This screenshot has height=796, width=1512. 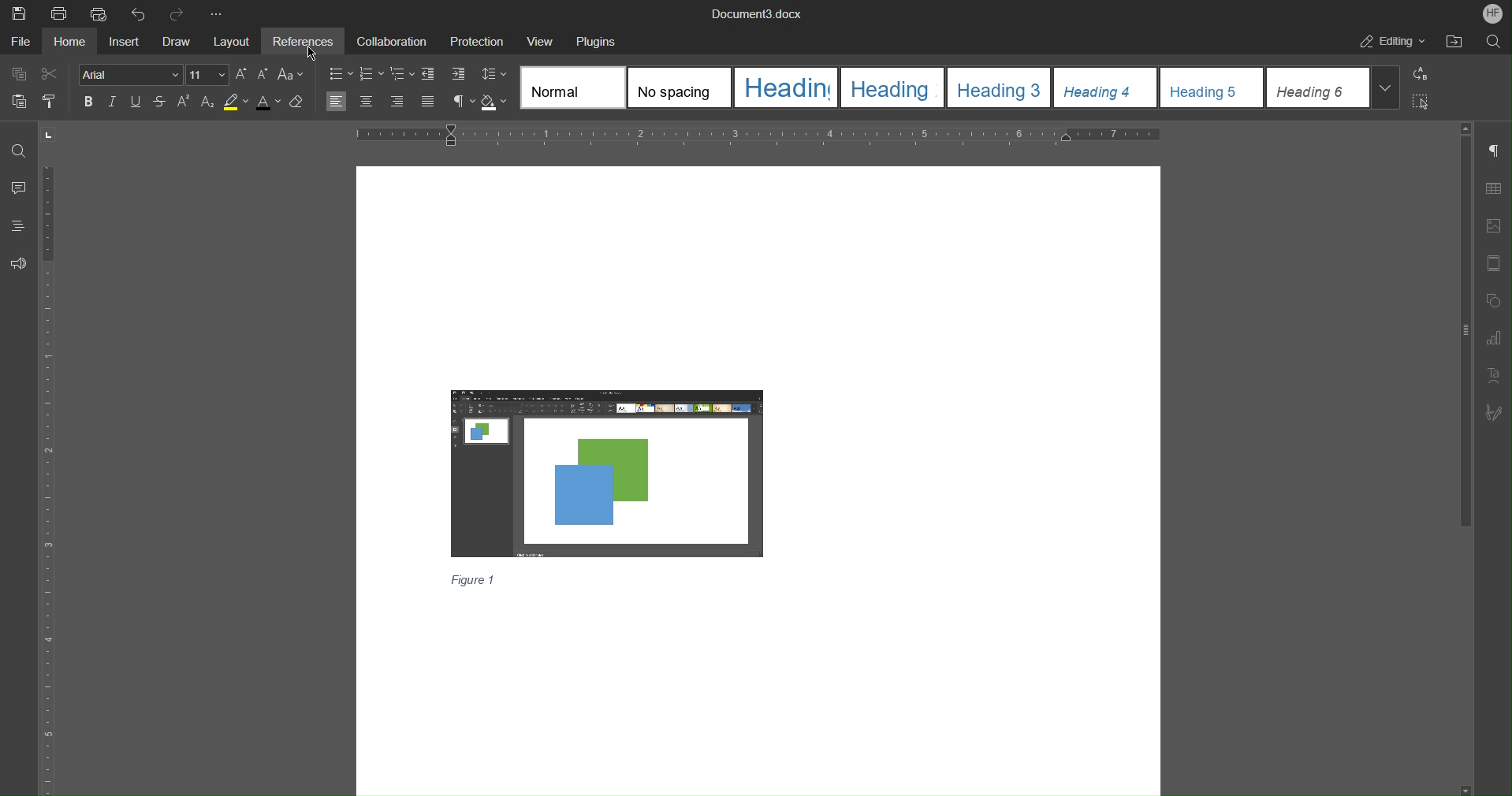 What do you see at coordinates (367, 102) in the screenshot?
I see `Center` at bounding box center [367, 102].